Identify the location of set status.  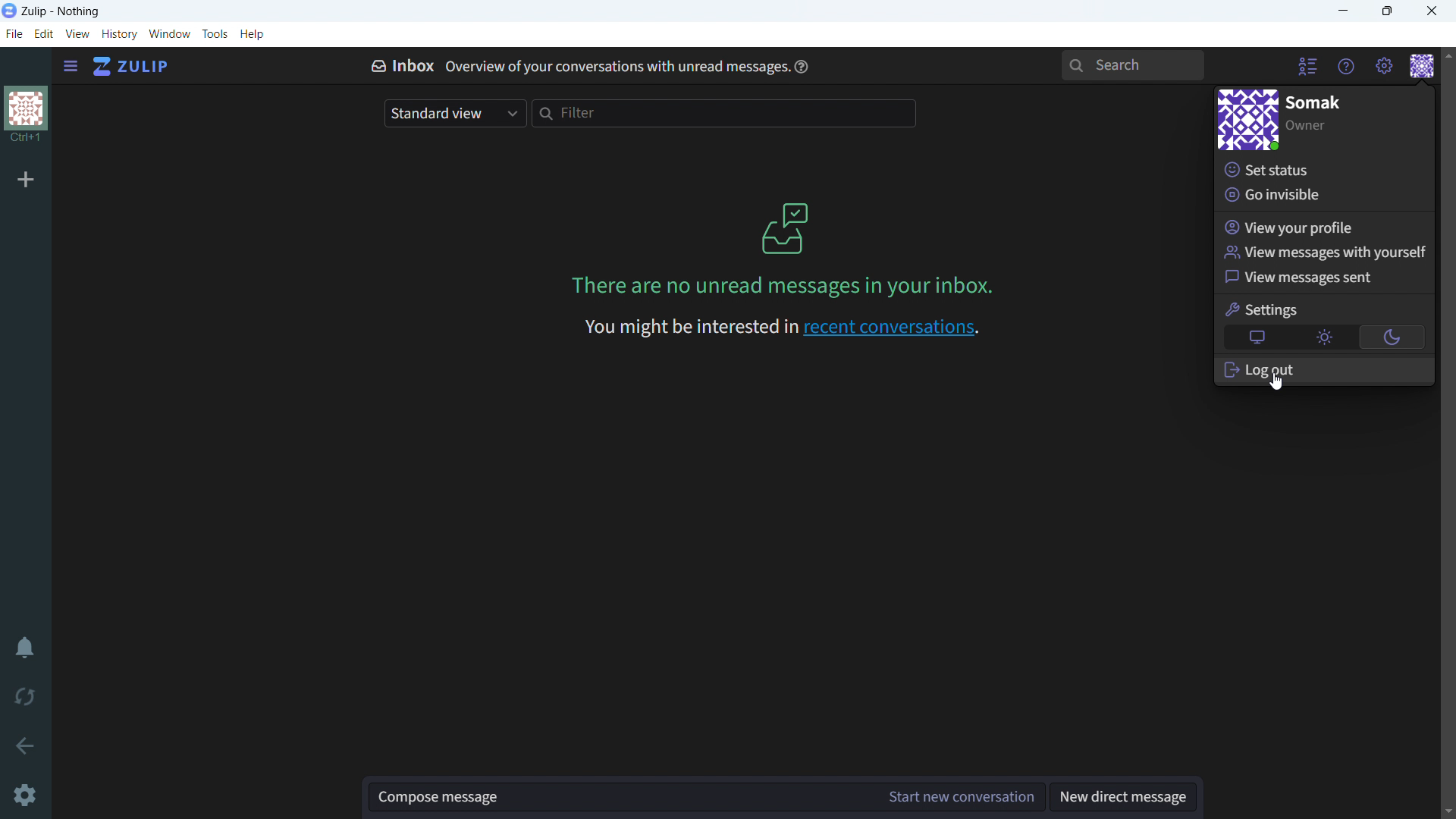
(1323, 168).